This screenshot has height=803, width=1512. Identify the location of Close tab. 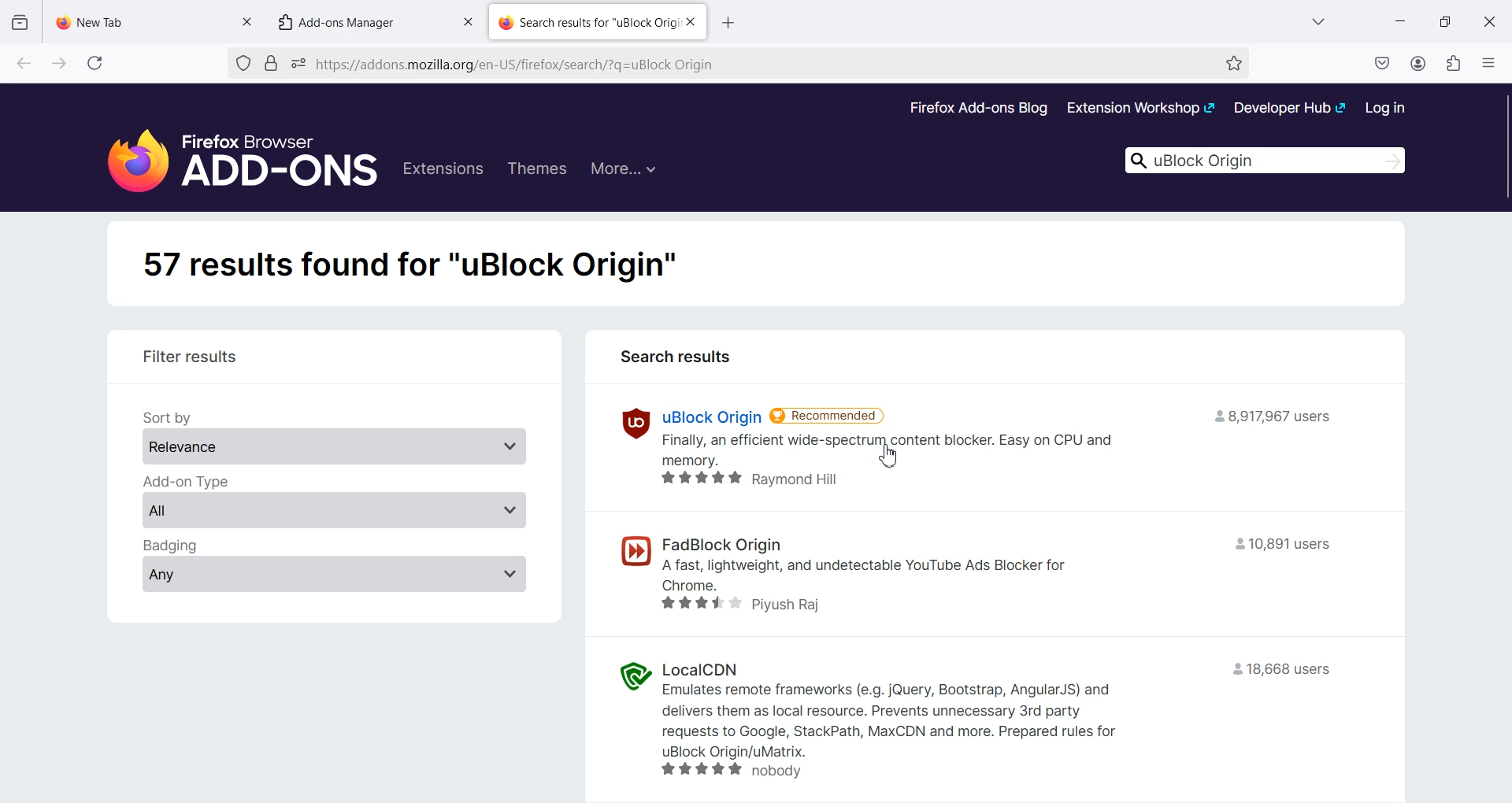
(468, 22).